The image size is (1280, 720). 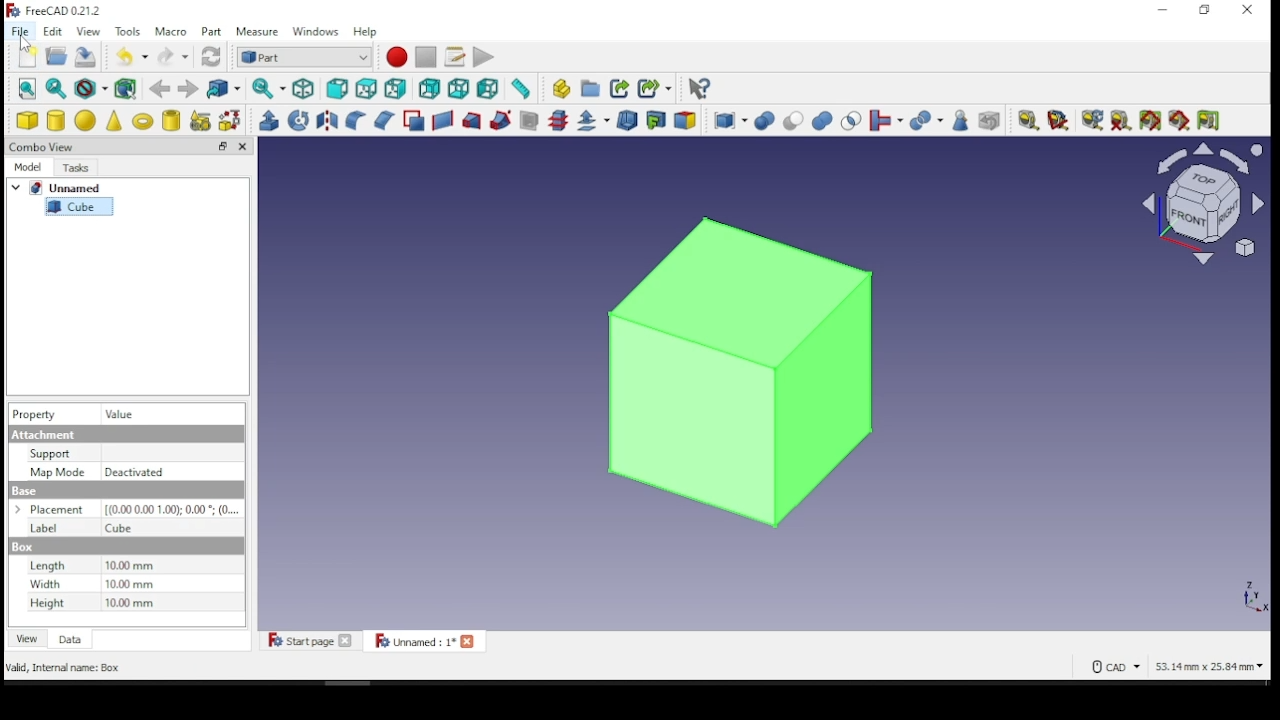 I want to click on open, so click(x=57, y=56).